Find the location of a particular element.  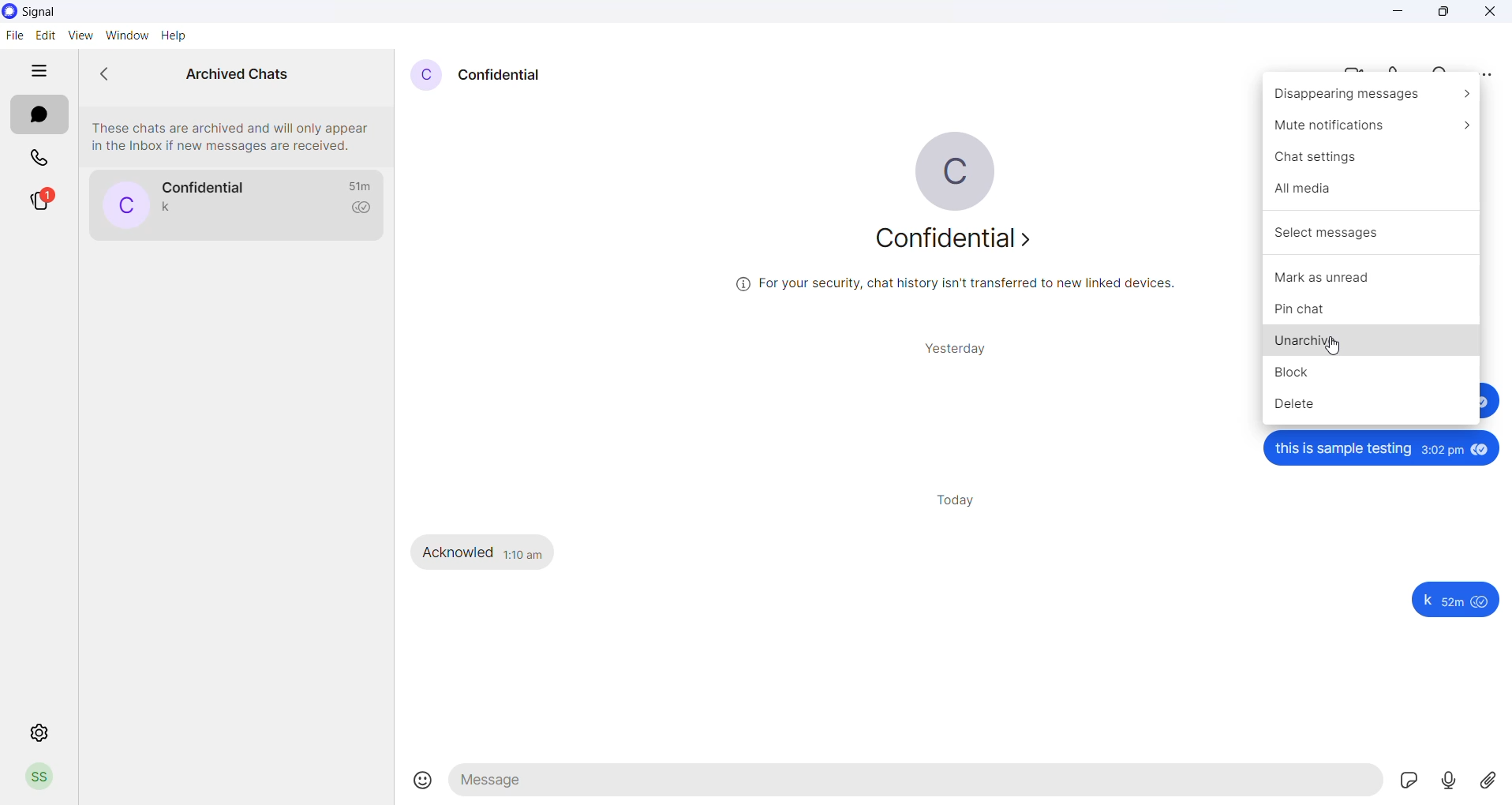

share attachment is located at coordinates (1494, 781).